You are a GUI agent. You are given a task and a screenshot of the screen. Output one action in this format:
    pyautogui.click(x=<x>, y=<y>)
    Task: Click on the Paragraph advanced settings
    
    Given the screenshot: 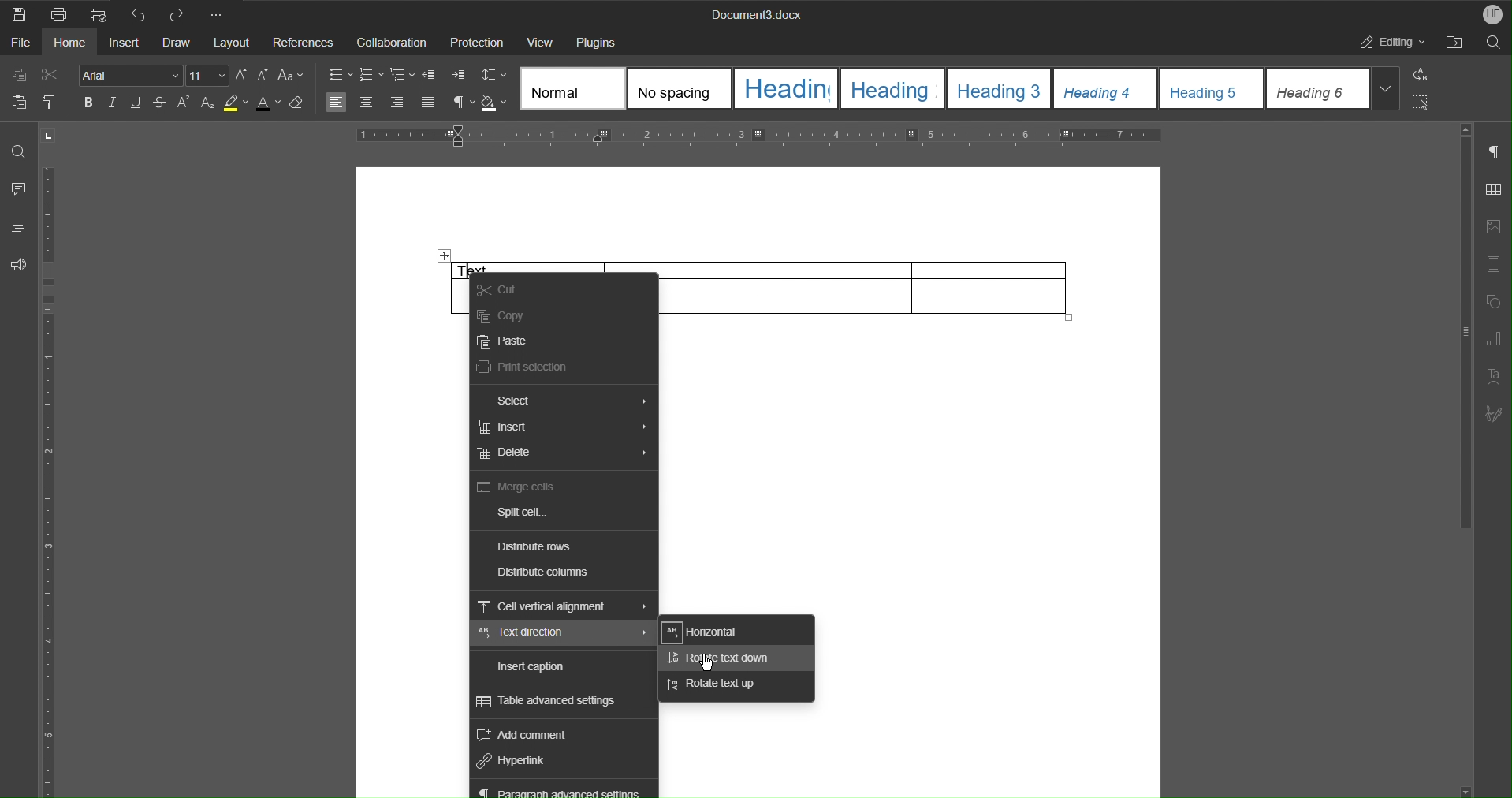 What is the action you would take?
    pyautogui.click(x=568, y=790)
    